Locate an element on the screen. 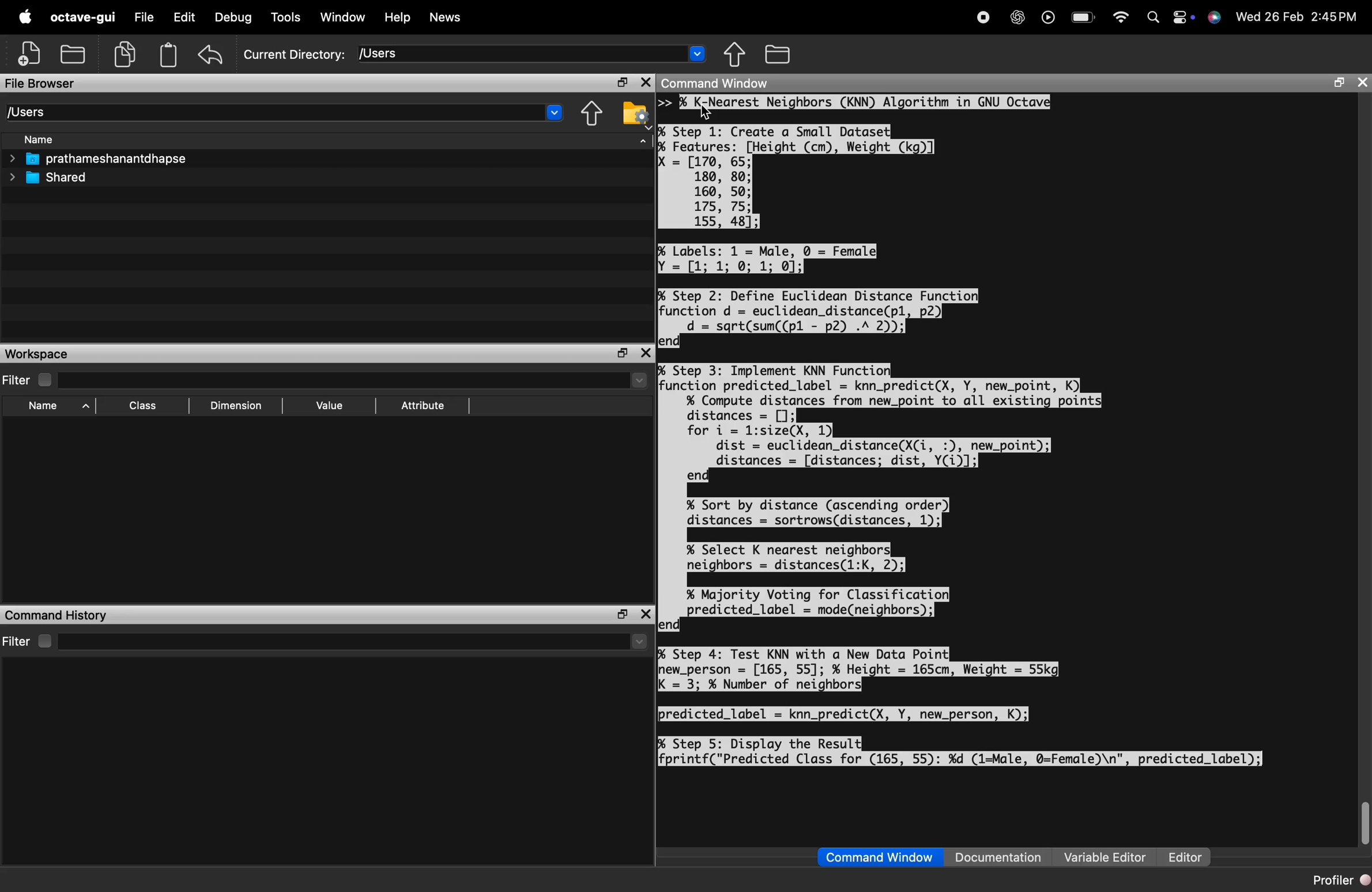 This screenshot has width=1372, height=892. move is located at coordinates (590, 116).